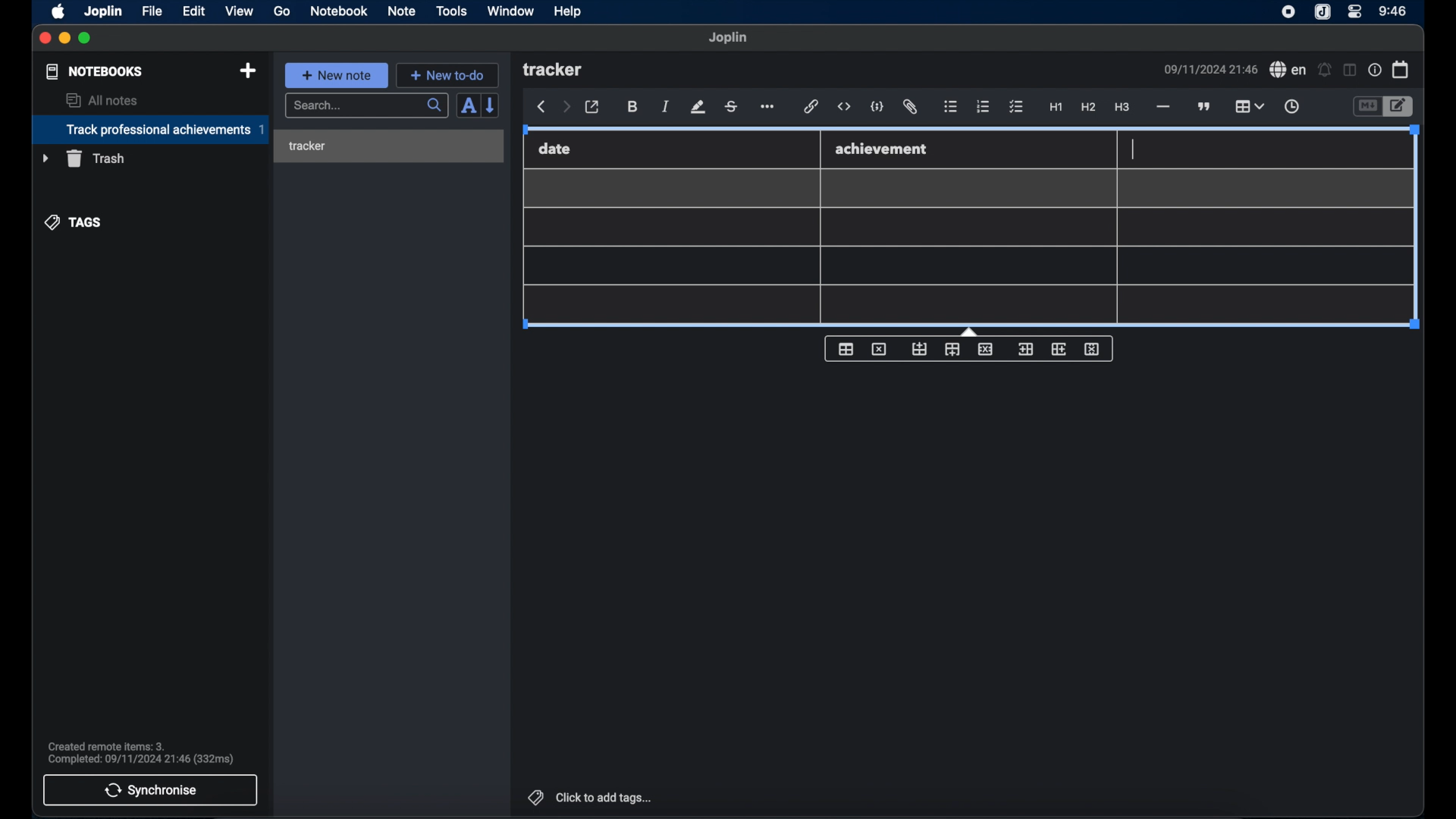 The height and width of the screenshot is (819, 1456). I want to click on note properties, so click(1374, 70).